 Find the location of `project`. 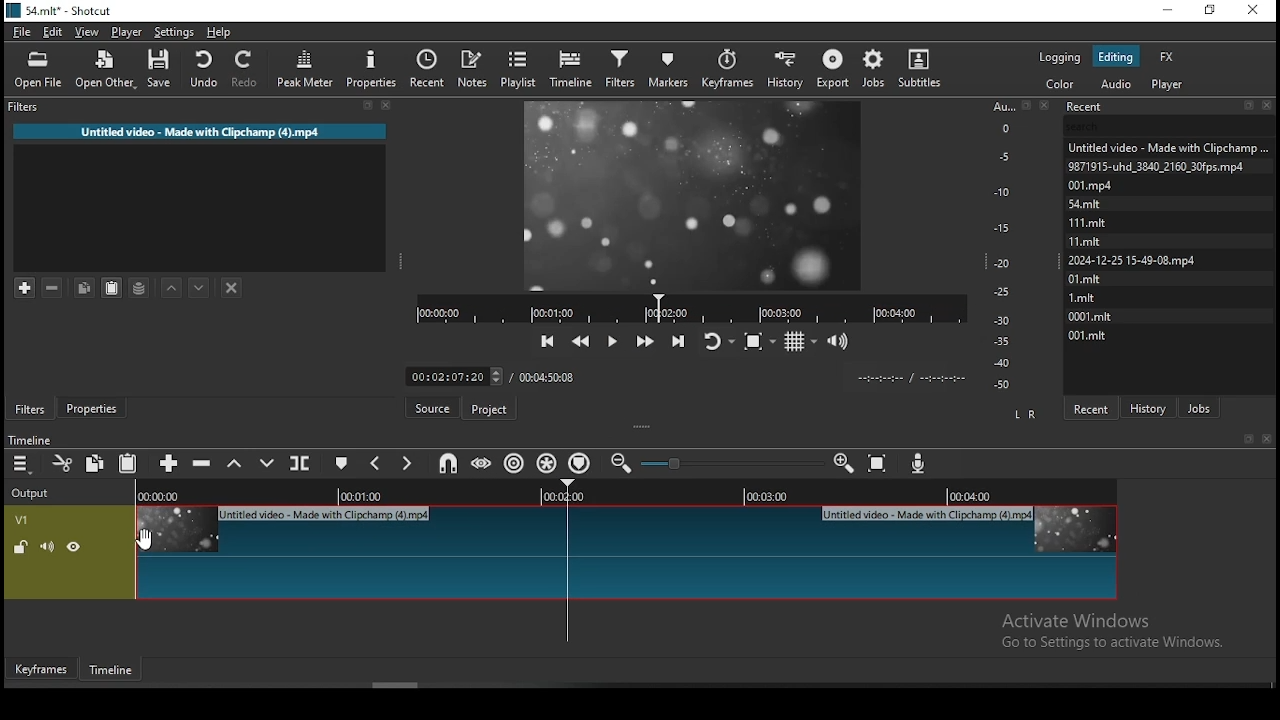

project is located at coordinates (491, 407).